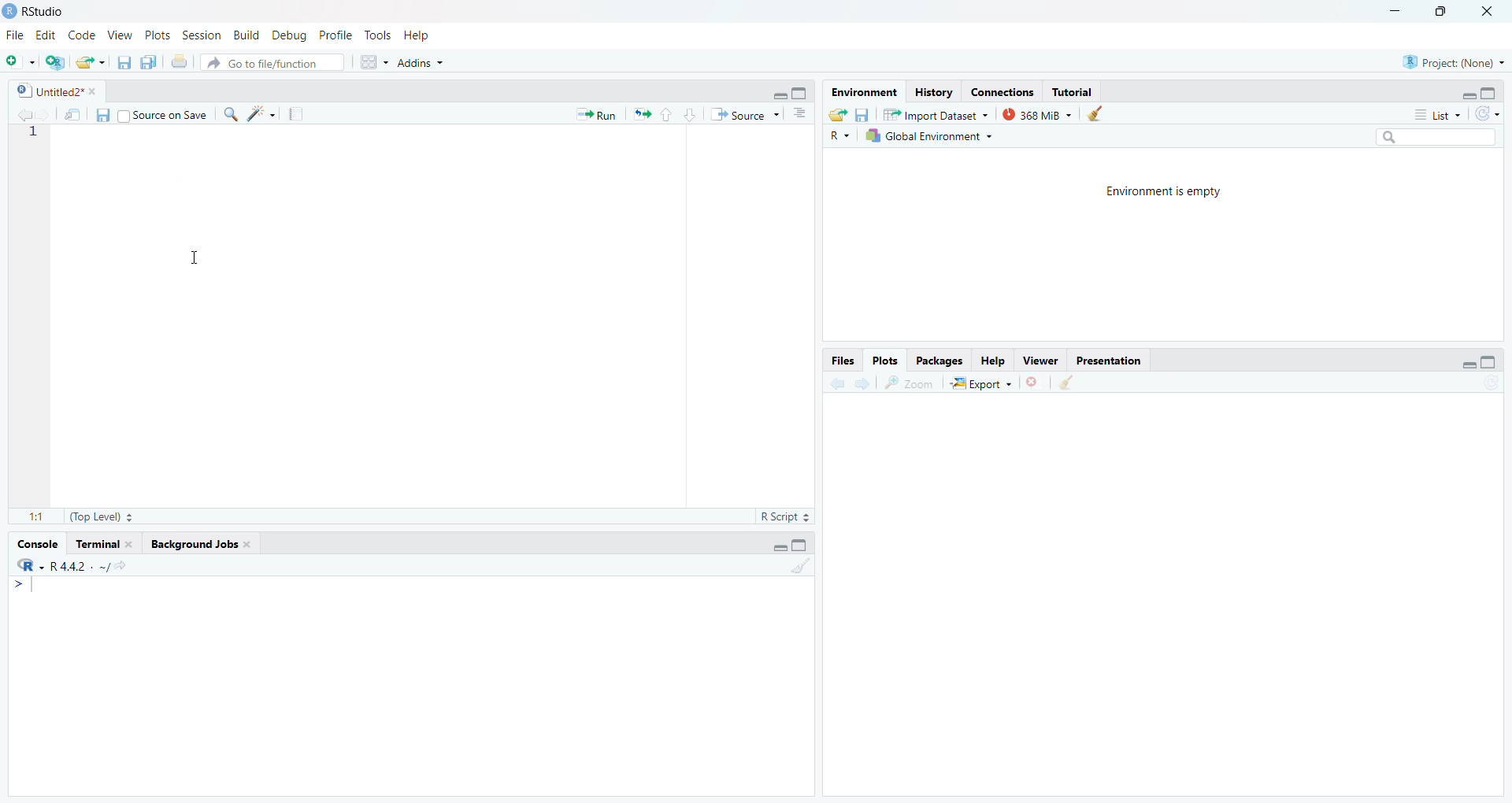 This screenshot has width=1512, height=803. What do you see at coordinates (424, 64) in the screenshot?
I see `Addins ~` at bounding box center [424, 64].